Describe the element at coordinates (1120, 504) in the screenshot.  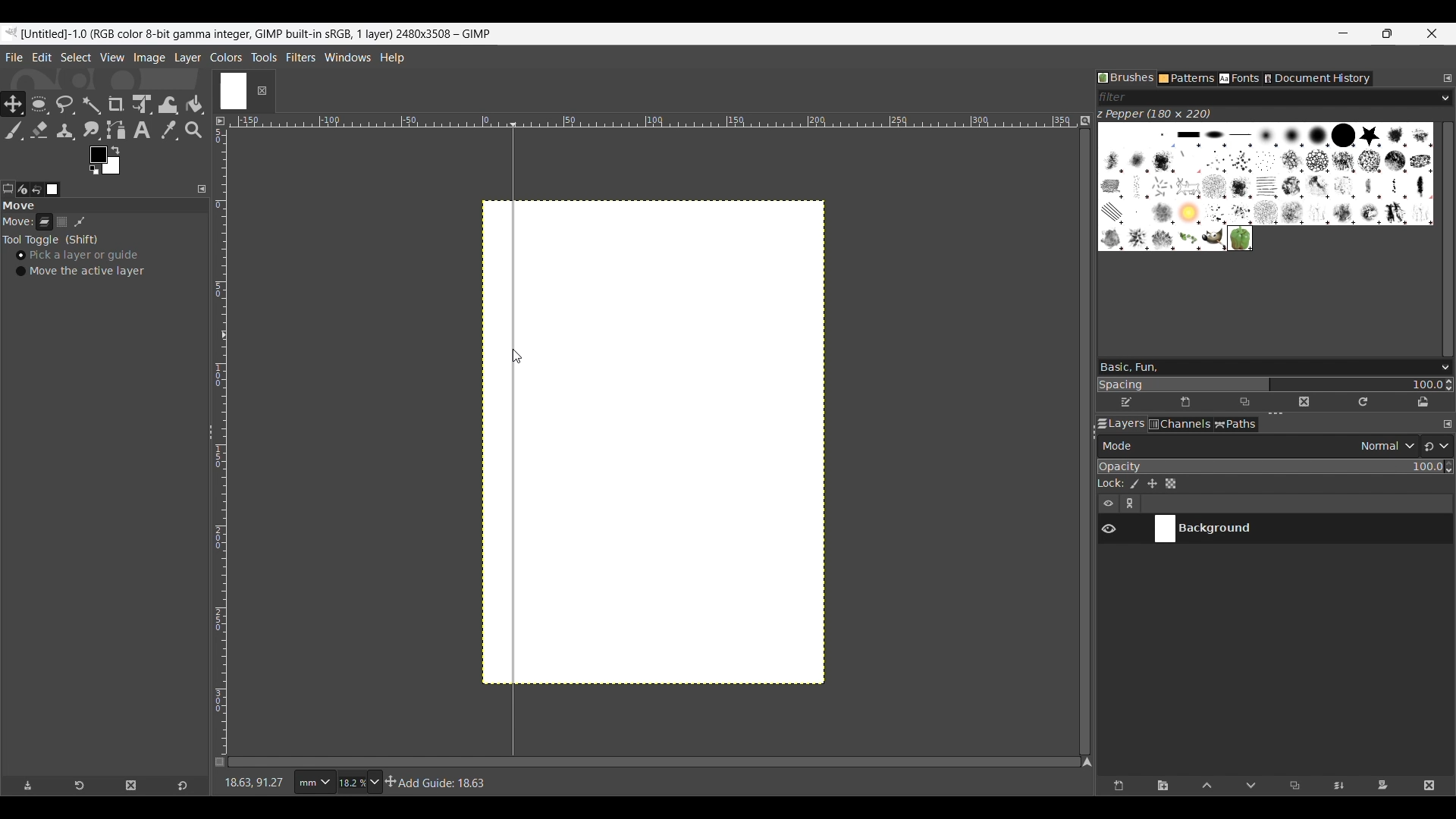
I see `Layer settings` at that location.